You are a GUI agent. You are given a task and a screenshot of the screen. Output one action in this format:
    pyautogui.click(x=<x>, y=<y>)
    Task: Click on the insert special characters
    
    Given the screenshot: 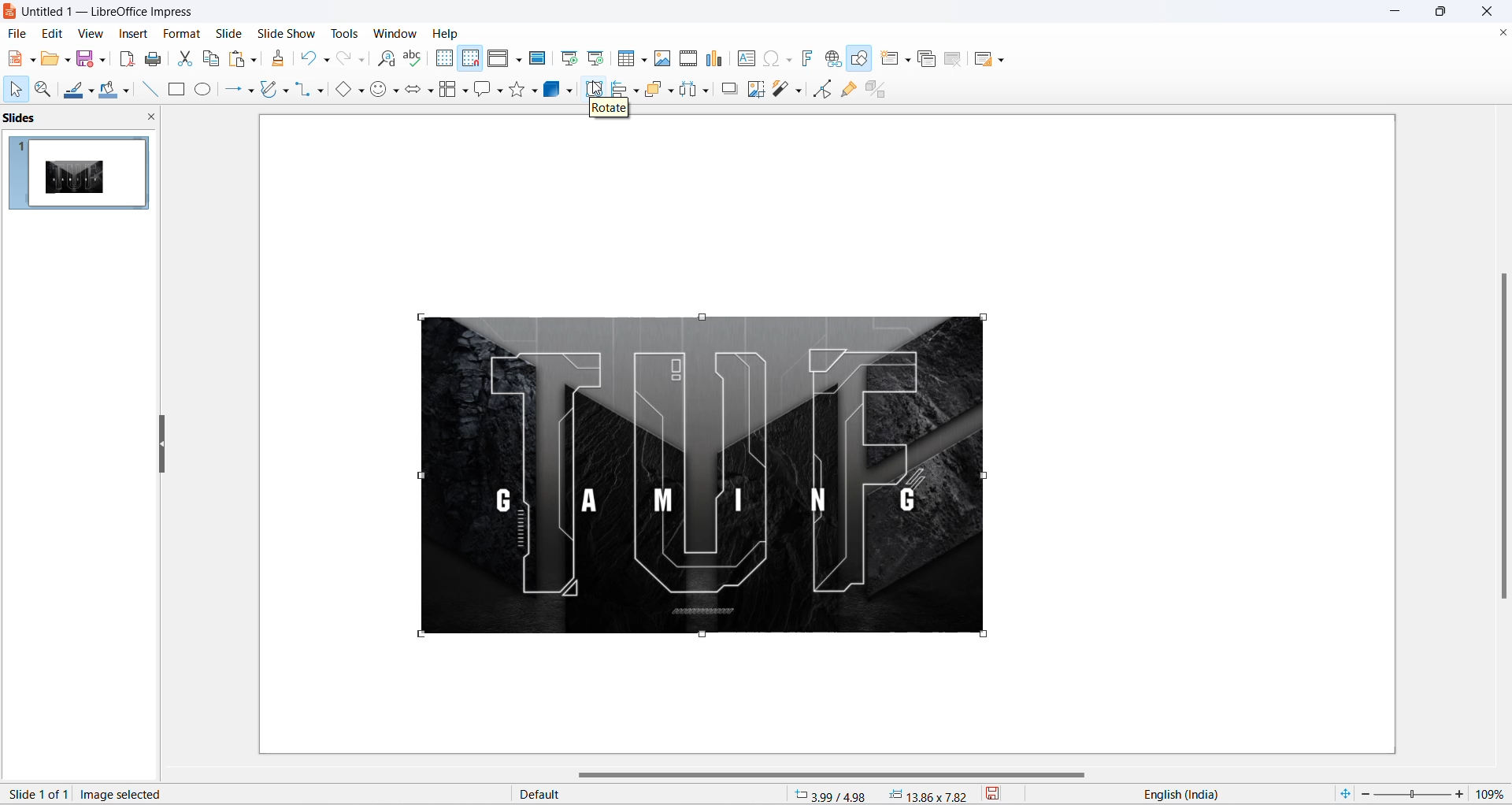 What is the action you would take?
    pyautogui.click(x=769, y=57)
    